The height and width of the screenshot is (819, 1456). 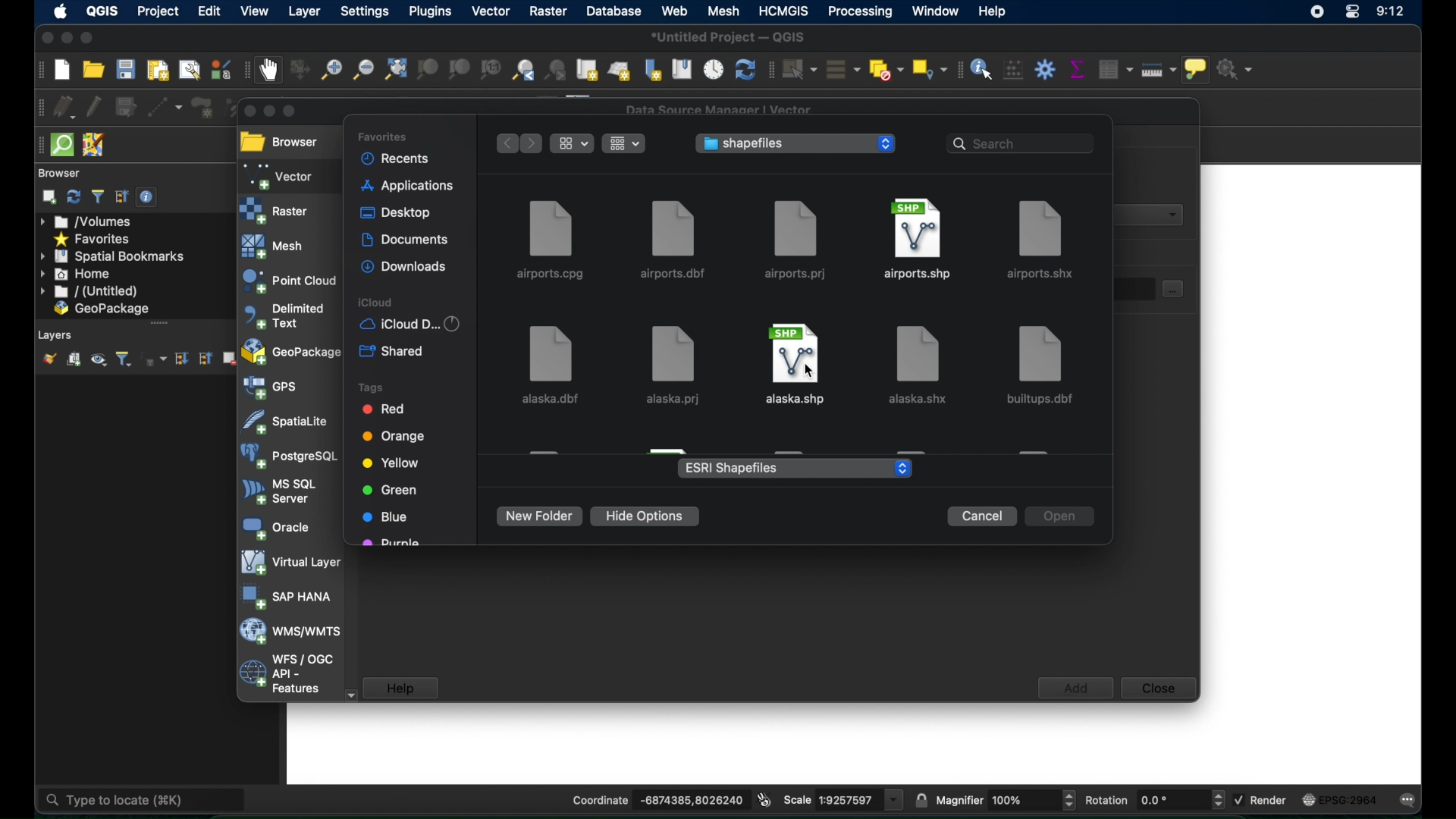 I want to click on type to locate, so click(x=106, y=799).